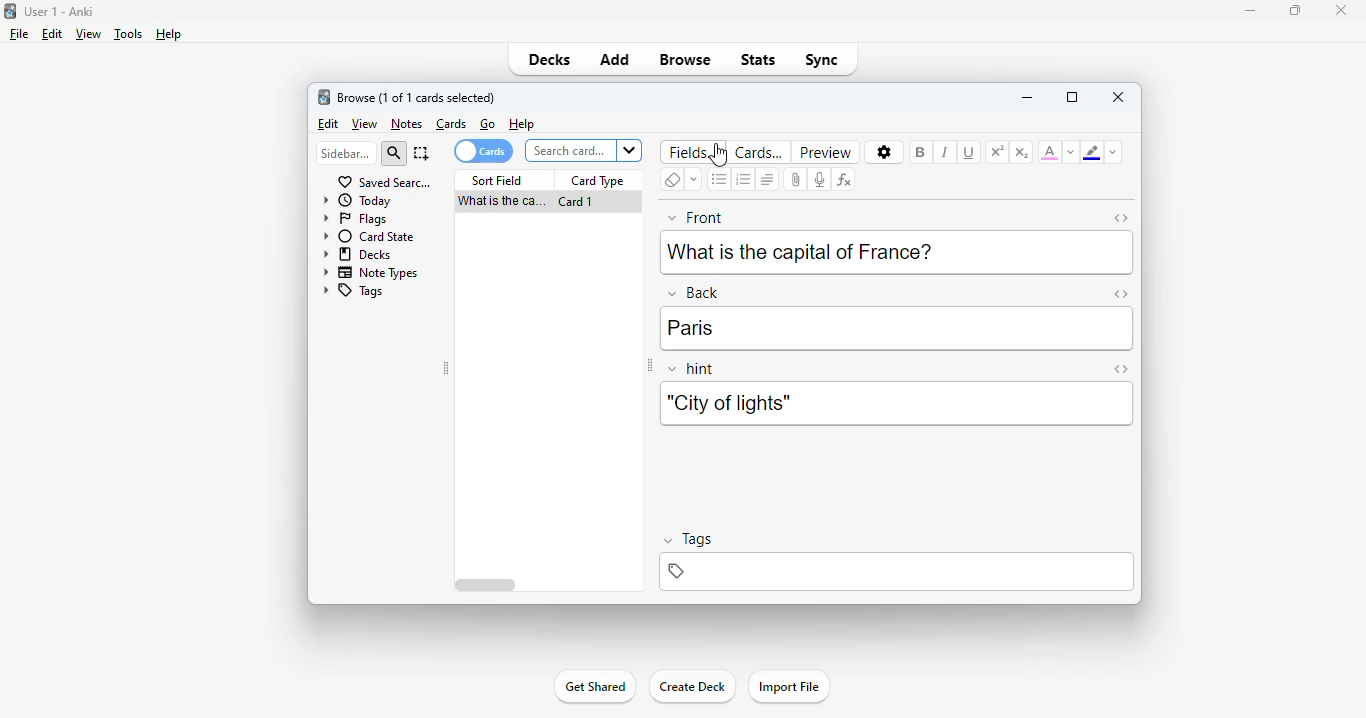 This screenshot has height=718, width=1366. Describe the element at coordinates (727, 403) in the screenshot. I see `city of lights` at that location.